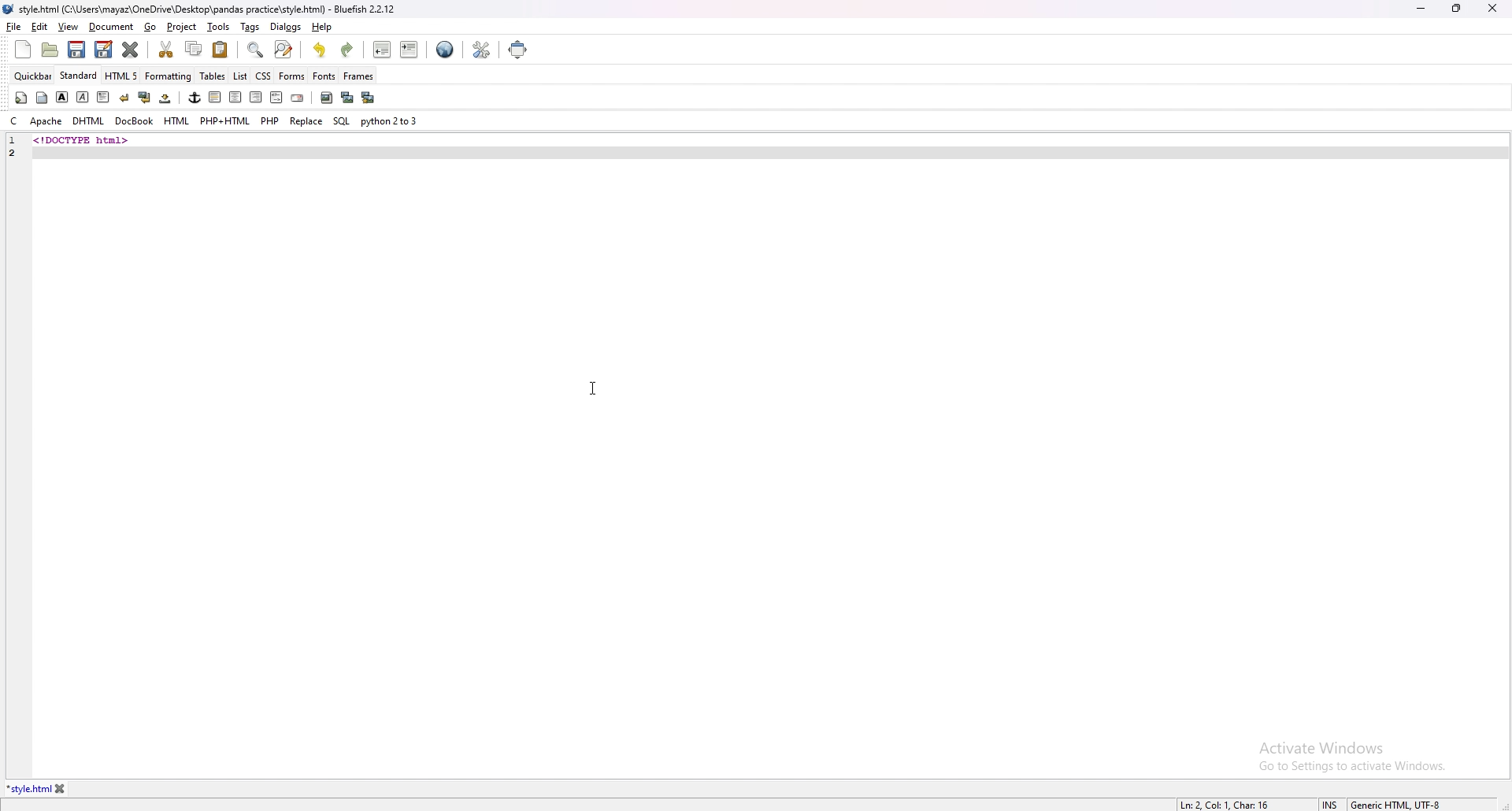 This screenshot has height=811, width=1512. Describe the element at coordinates (68, 27) in the screenshot. I see `view` at that location.